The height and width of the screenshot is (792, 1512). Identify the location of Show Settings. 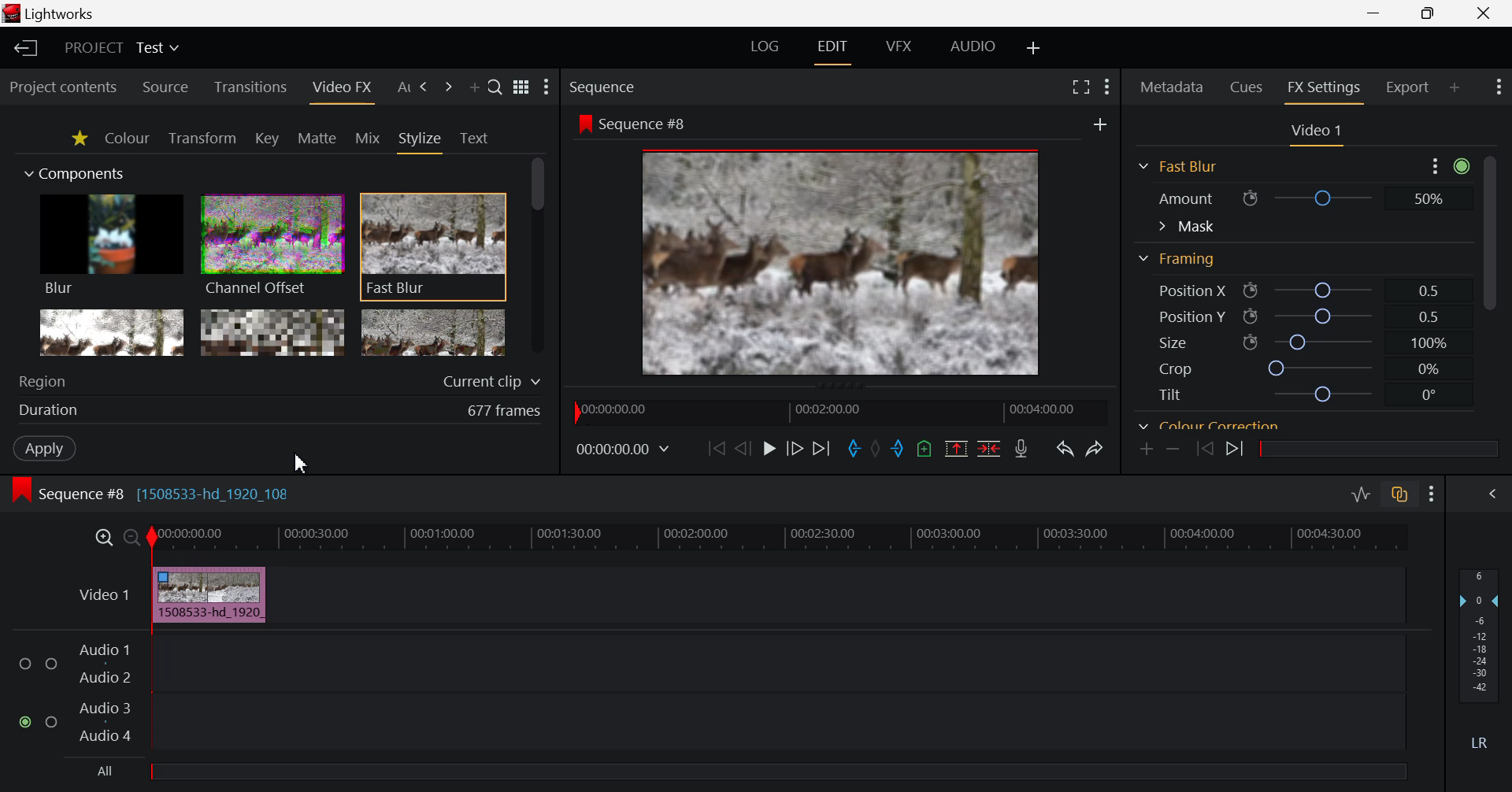
(1106, 87).